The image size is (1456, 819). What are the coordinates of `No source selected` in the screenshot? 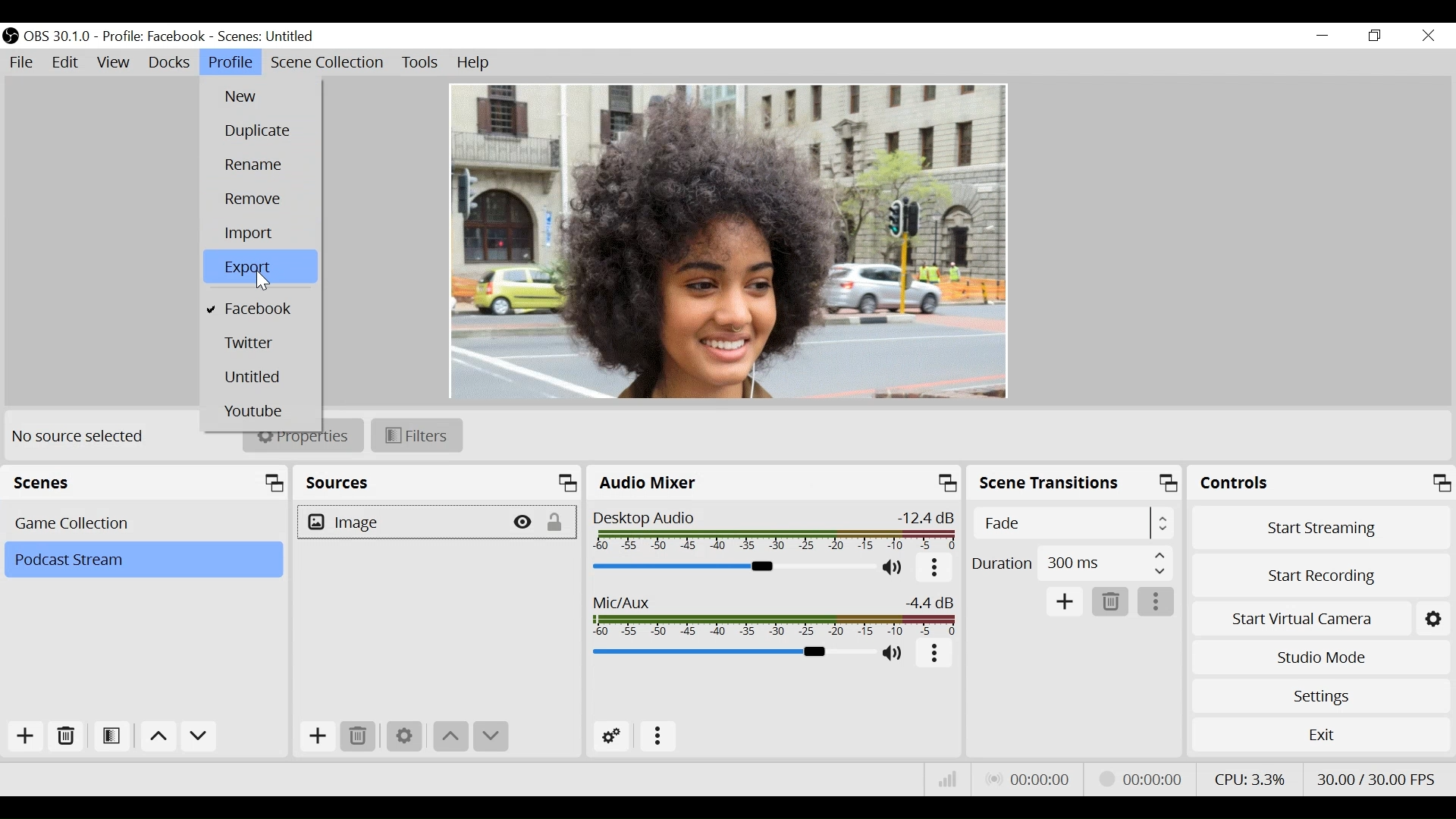 It's located at (88, 437).